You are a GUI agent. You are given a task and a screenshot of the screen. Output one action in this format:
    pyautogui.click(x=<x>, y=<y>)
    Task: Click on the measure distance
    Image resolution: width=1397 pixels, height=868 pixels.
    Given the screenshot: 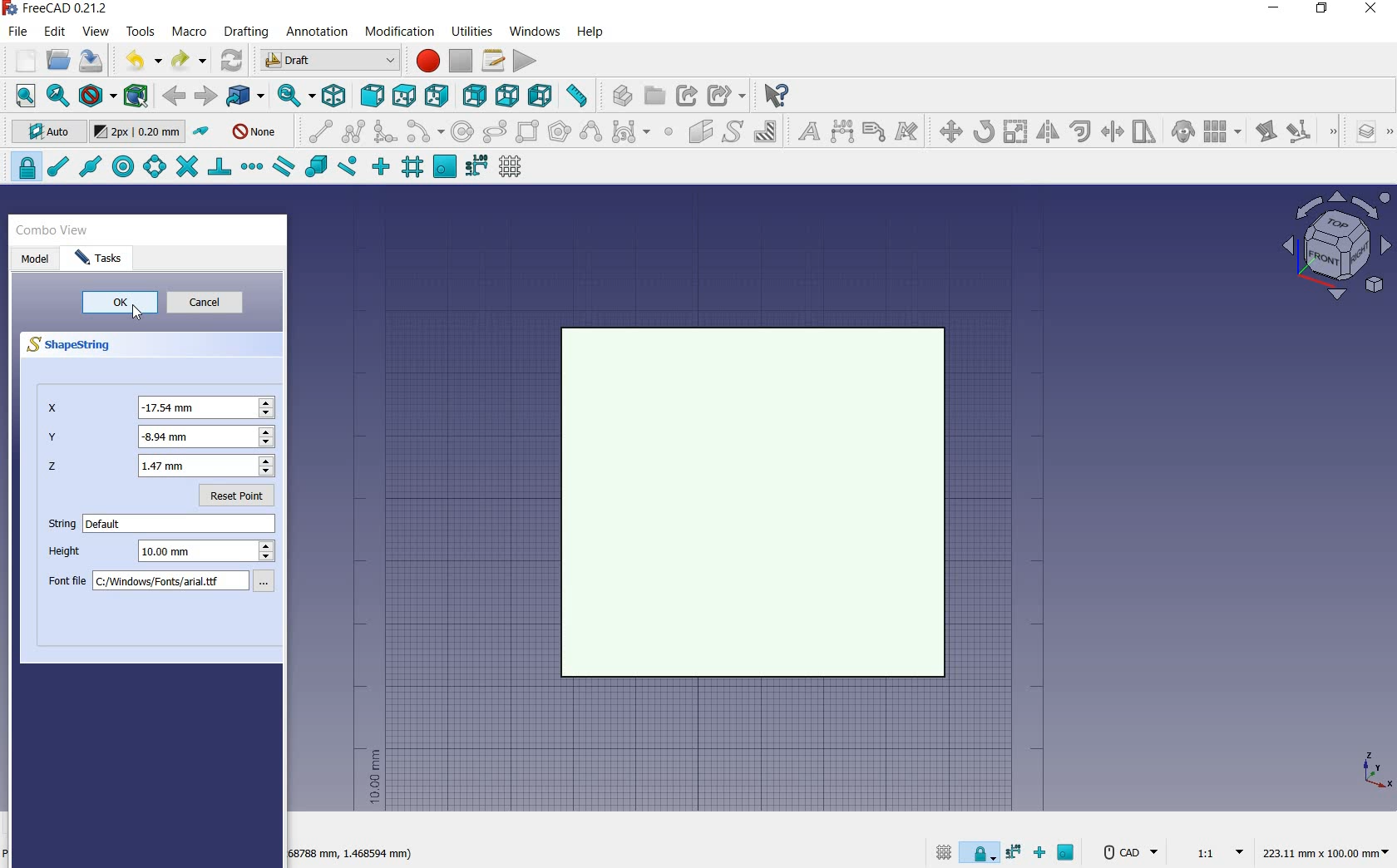 What is the action you would take?
    pyautogui.click(x=579, y=96)
    